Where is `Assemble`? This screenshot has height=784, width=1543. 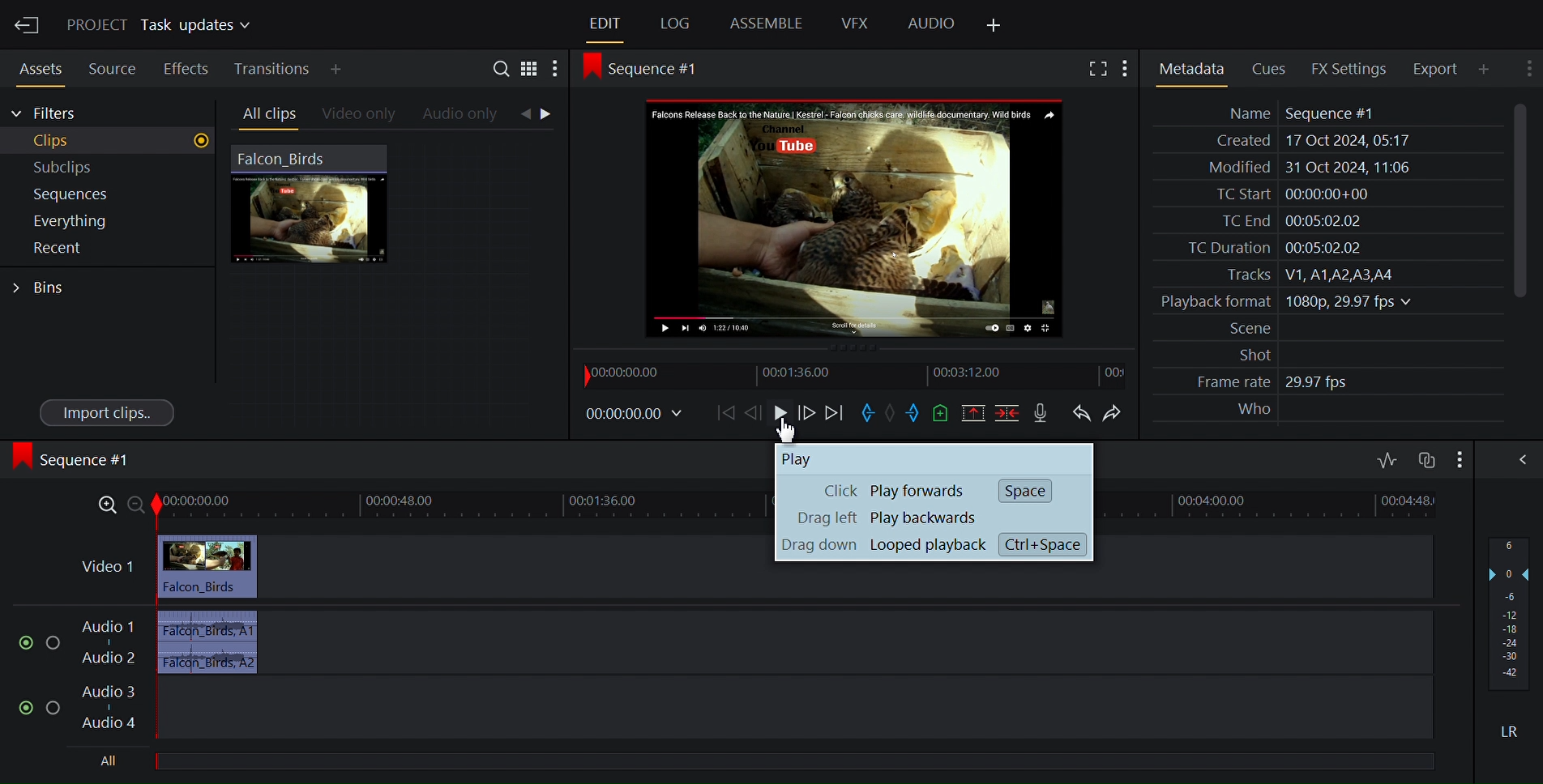
Assemble is located at coordinates (765, 24).